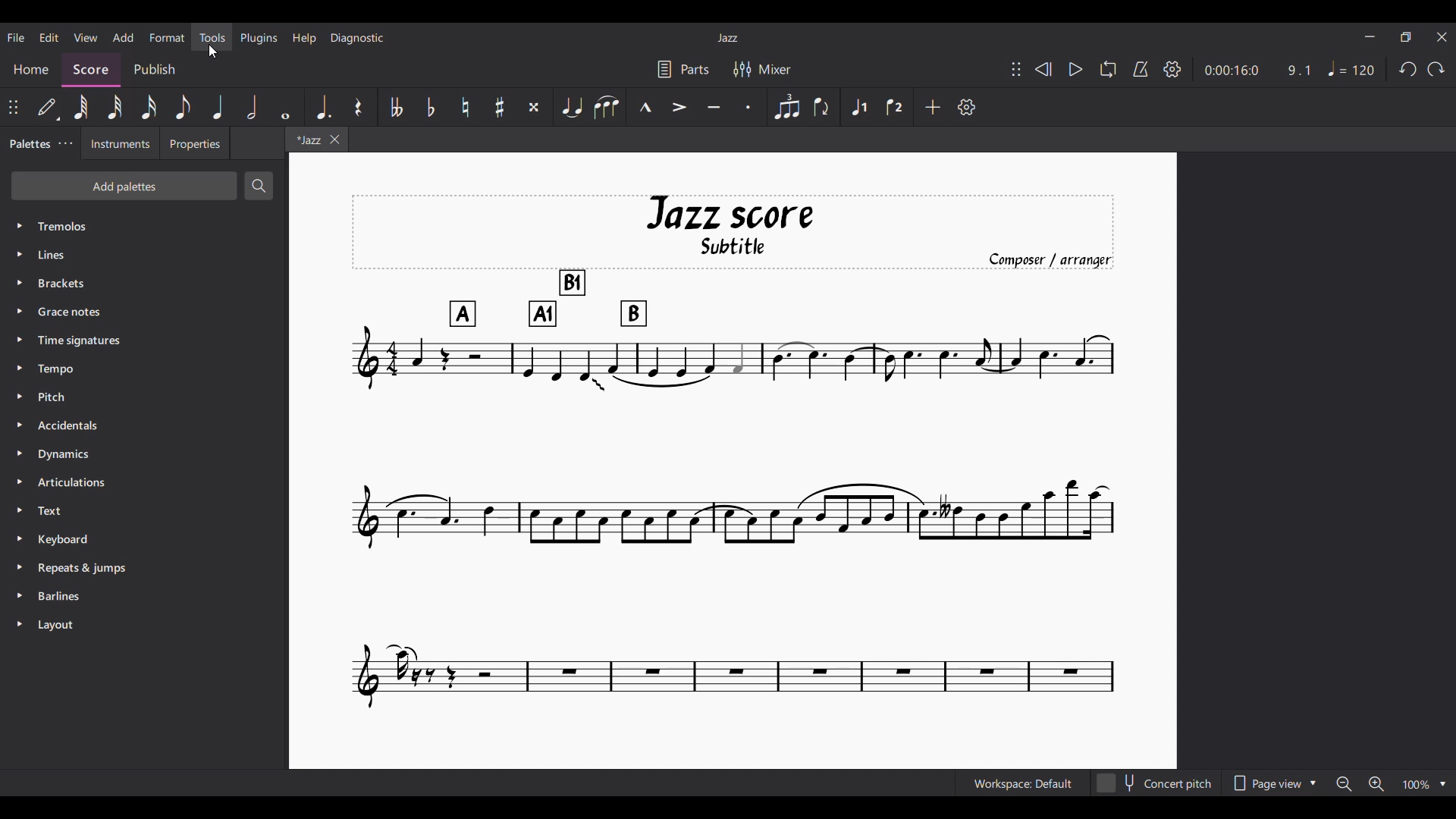 This screenshot has height=819, width=1456. I want to click on Accidentals, so click(144, 425).